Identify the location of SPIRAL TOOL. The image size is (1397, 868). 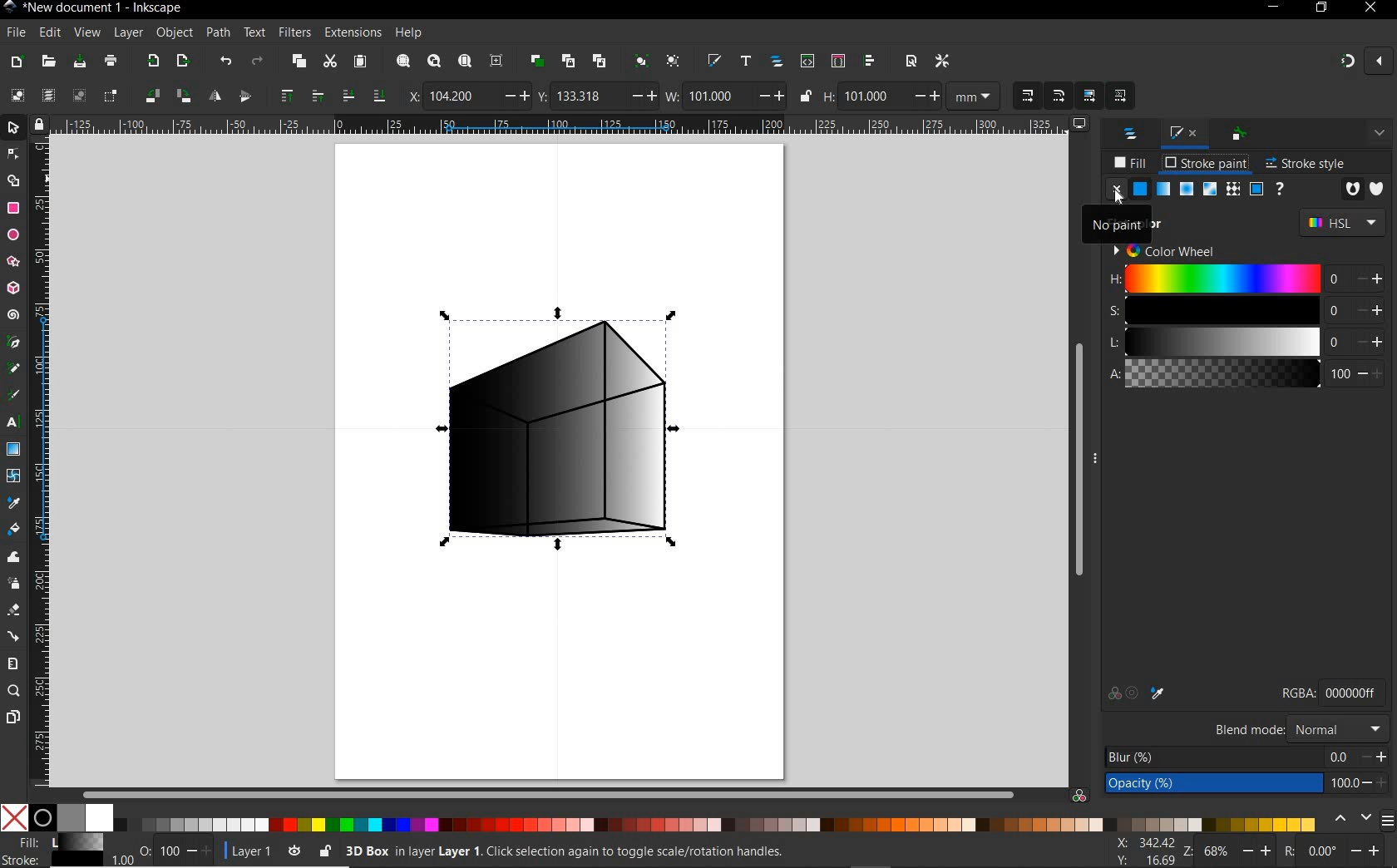
(15, 315).